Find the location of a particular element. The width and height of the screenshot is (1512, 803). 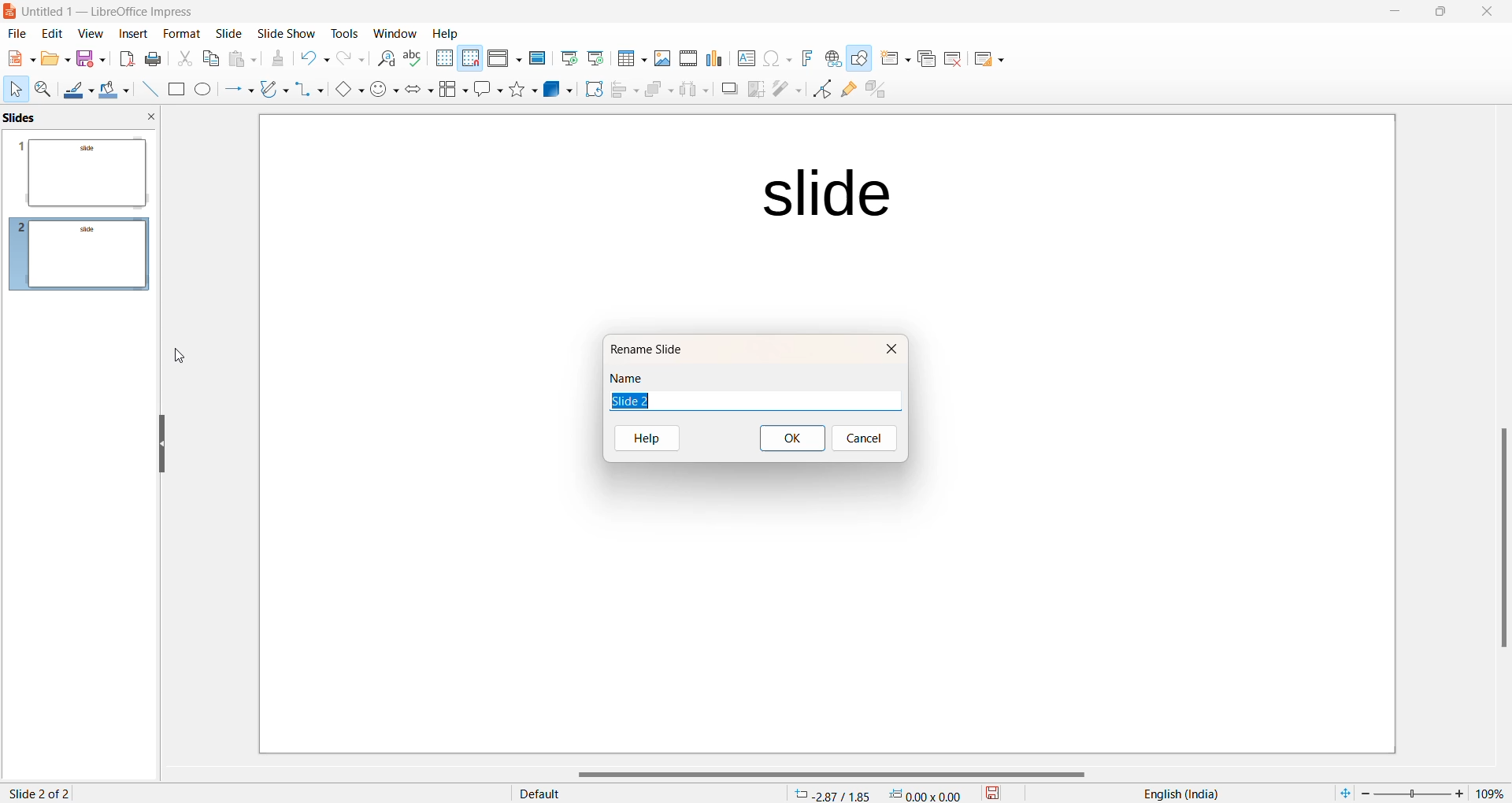

slide preview is located at coordinates (83, 170).